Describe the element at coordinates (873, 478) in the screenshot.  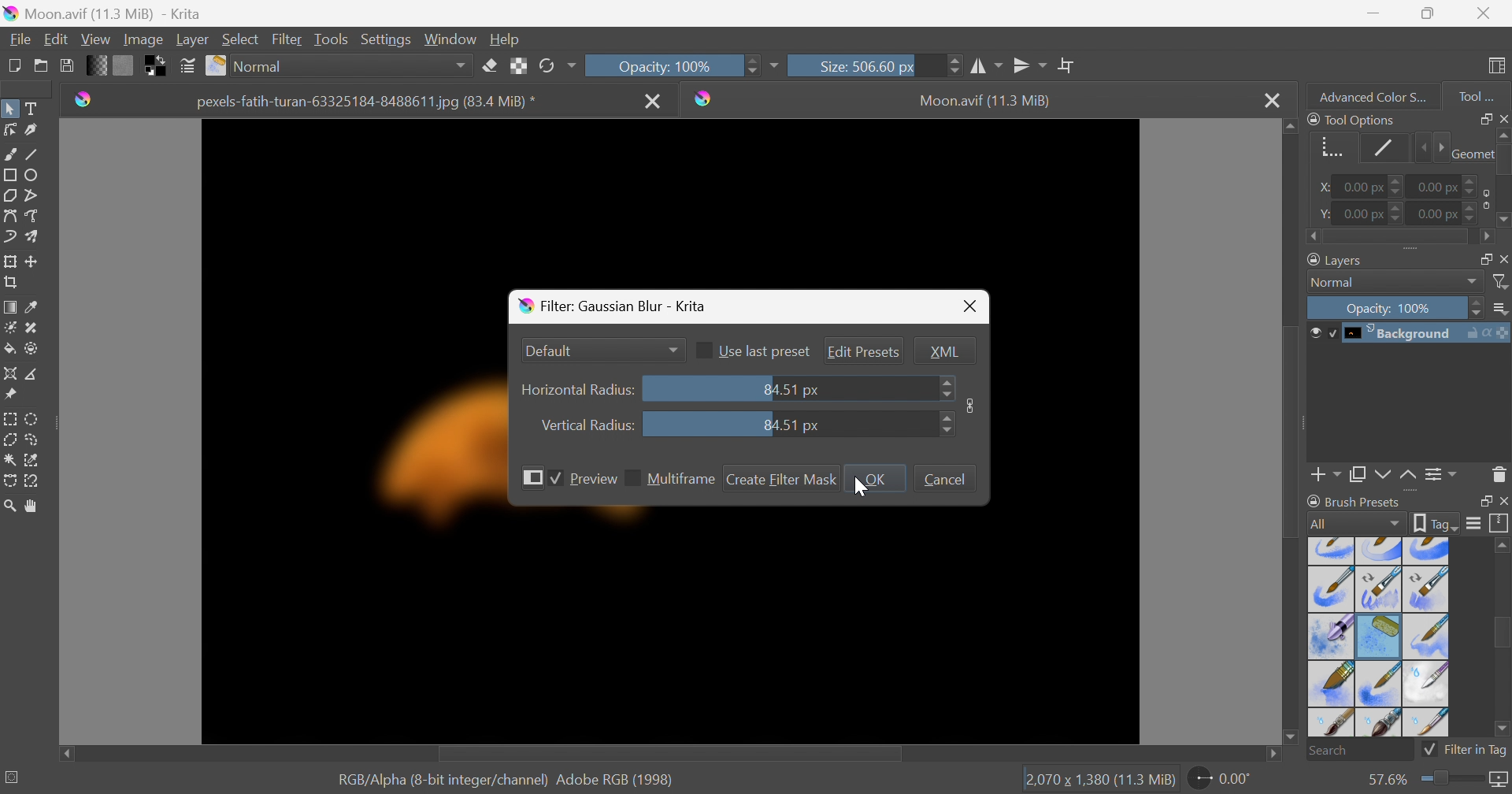
I see `OK` at that location.